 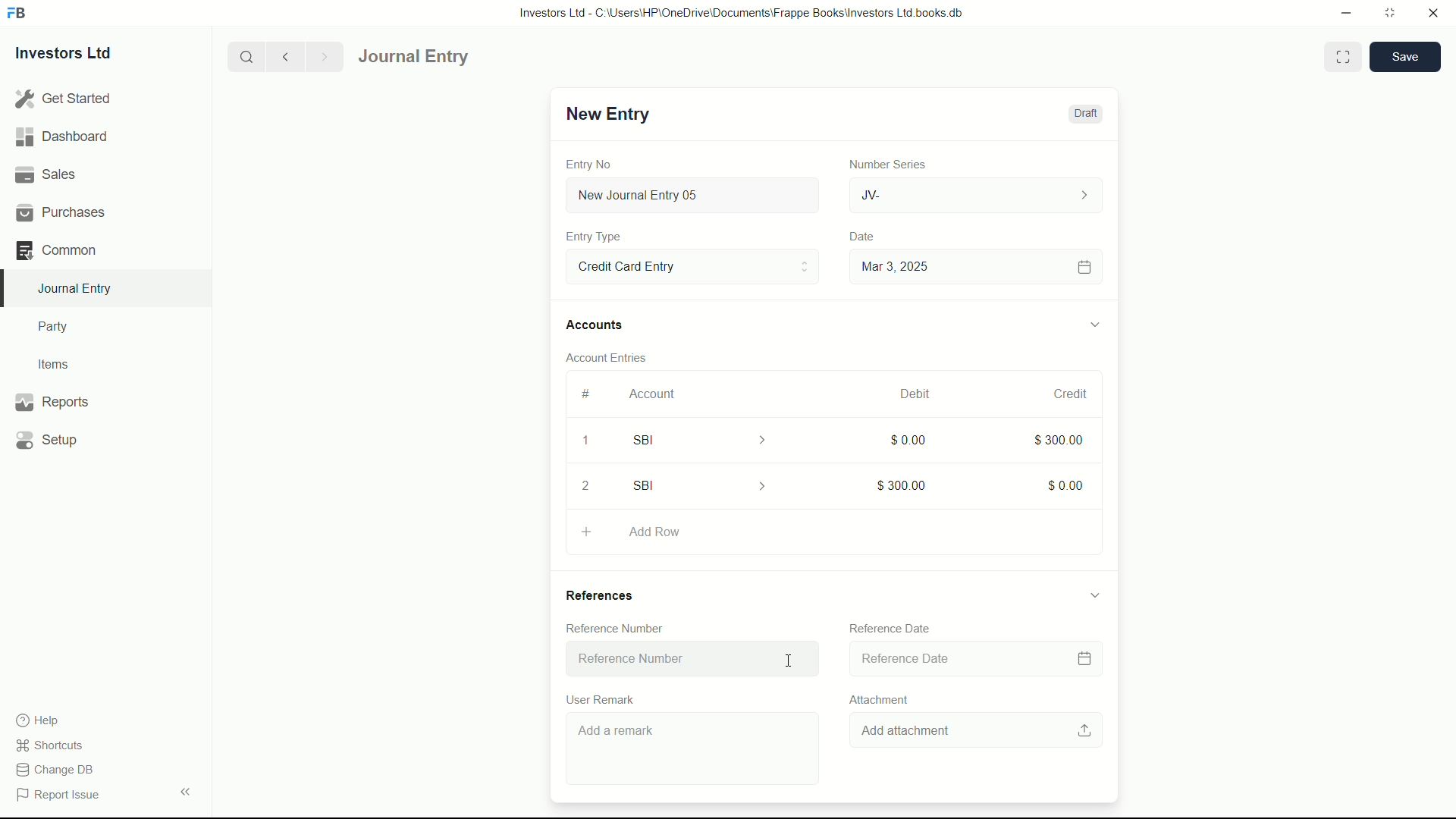 I want to click on Reference Number, so click(x=625, y=628).